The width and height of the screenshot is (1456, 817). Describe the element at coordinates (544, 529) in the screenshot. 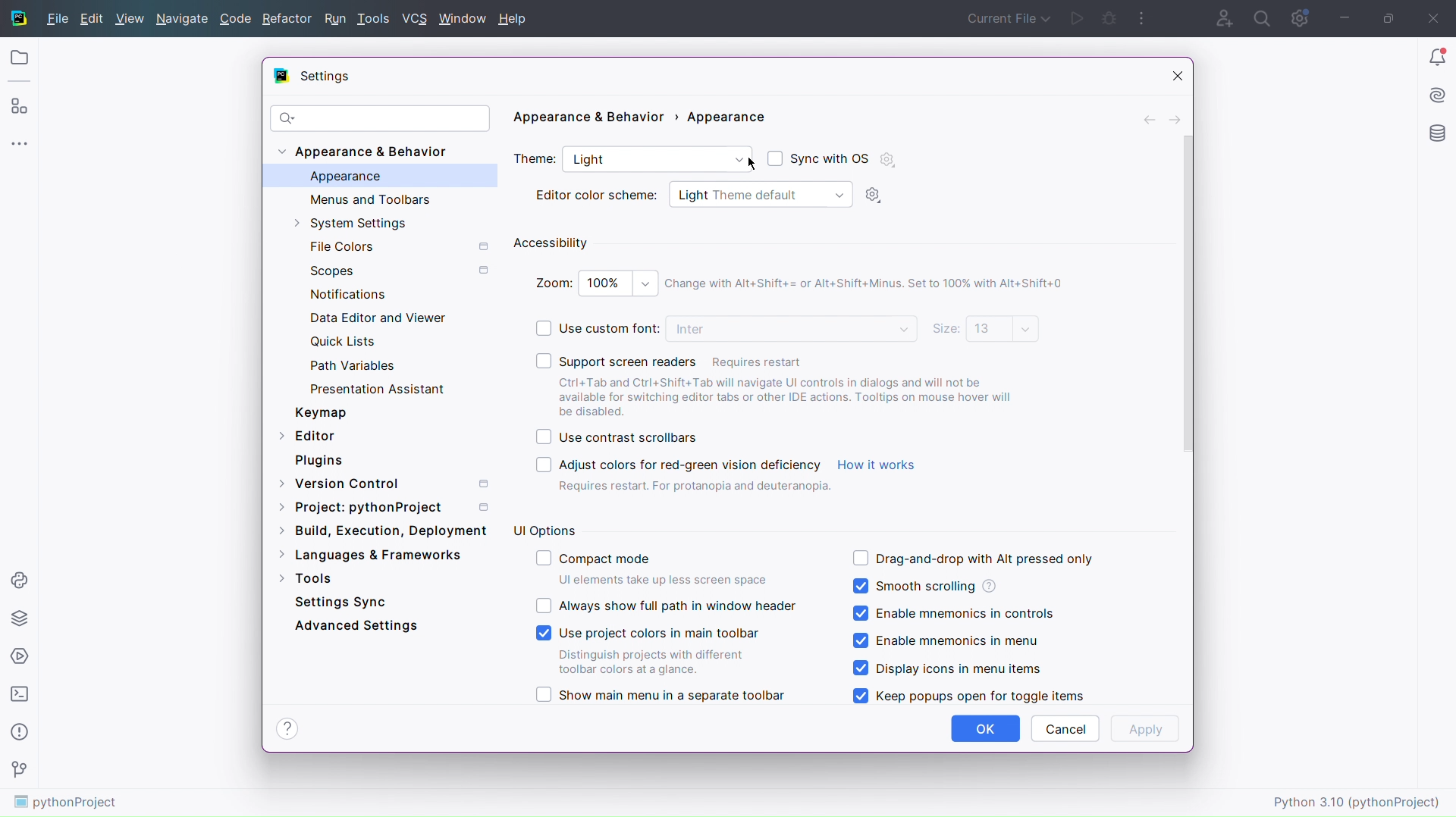

I see `UI Options` at that location.